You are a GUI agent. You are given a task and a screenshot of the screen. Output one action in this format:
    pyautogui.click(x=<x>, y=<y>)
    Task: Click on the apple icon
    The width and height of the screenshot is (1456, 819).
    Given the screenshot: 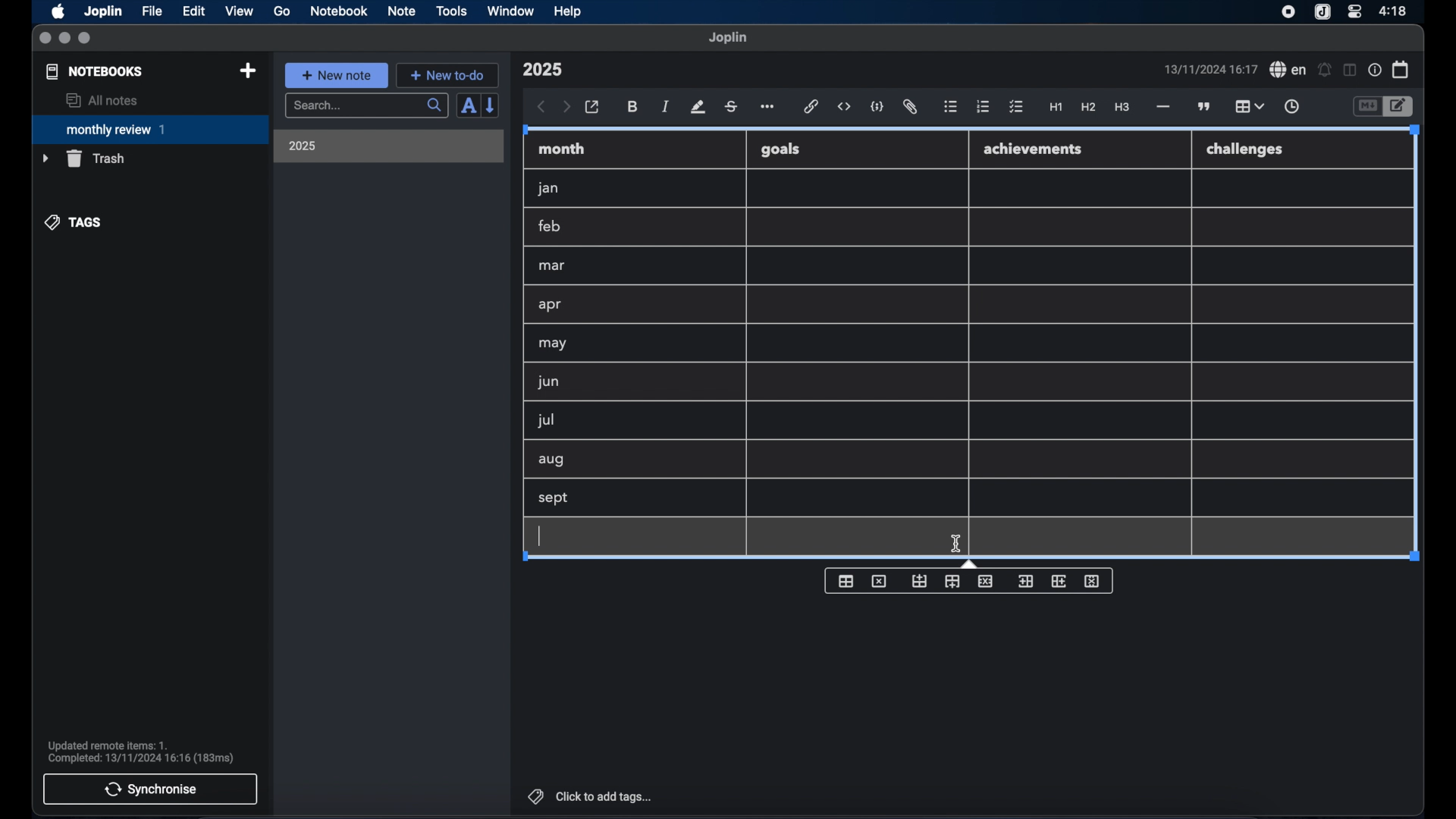 What is the action you would take?
    pyautogui.click(x=57, y=11)
    